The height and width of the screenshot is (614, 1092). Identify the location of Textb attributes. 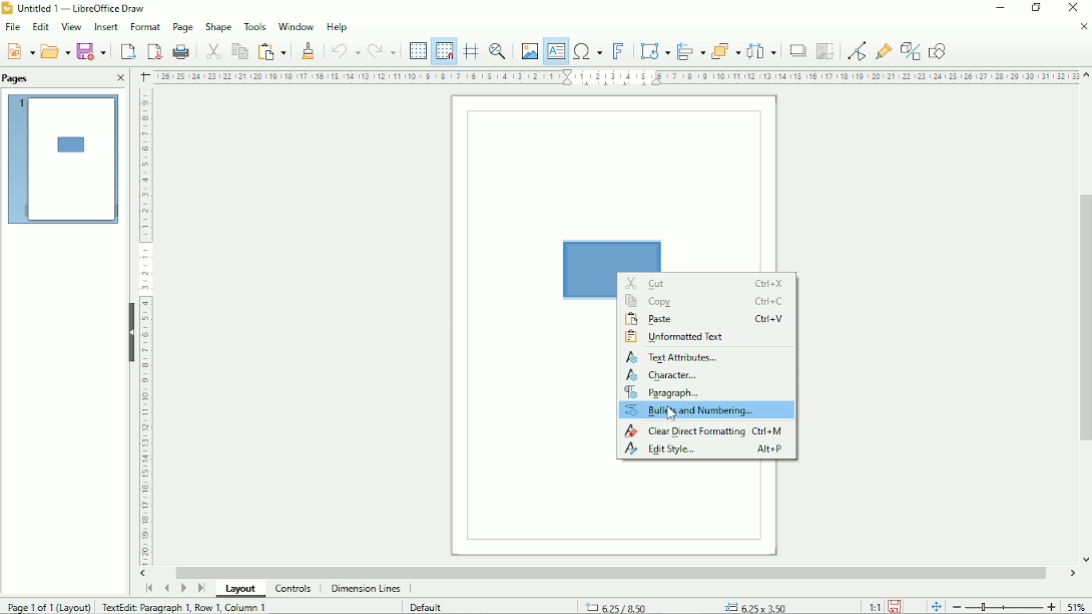
(670, 358).